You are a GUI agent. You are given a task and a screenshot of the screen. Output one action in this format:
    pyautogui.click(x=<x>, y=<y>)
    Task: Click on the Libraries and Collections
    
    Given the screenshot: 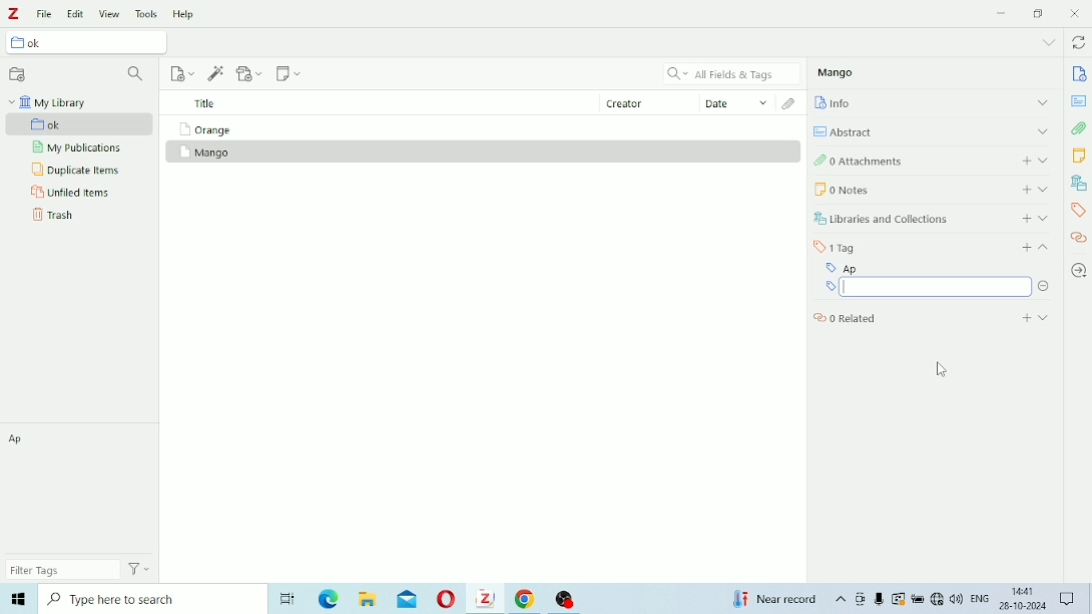 What is the action you would take?
    pyautogui.click(x=935, y=215)
    